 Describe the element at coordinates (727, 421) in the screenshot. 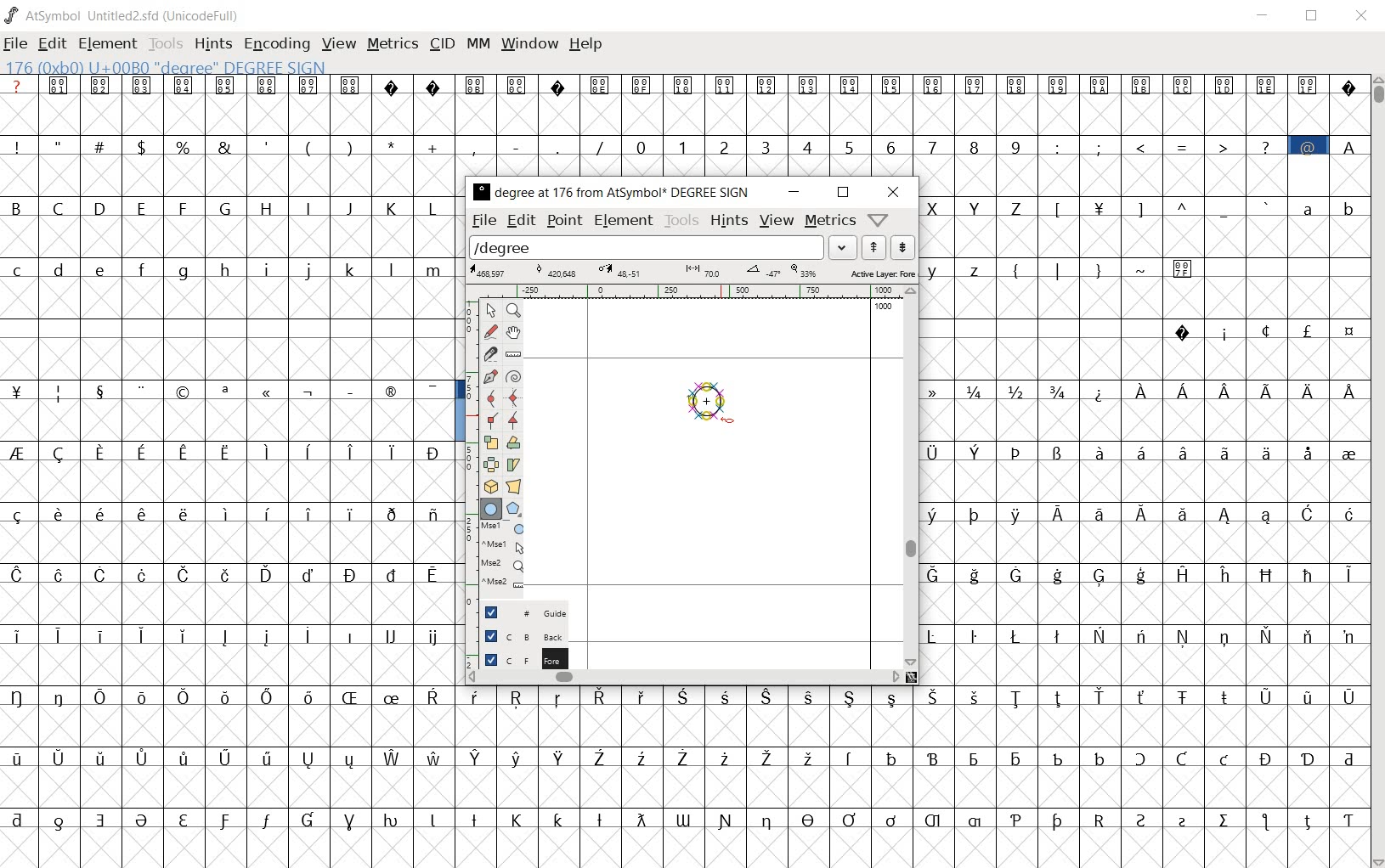

I see `Ellipse tool/cursor location` at that location.